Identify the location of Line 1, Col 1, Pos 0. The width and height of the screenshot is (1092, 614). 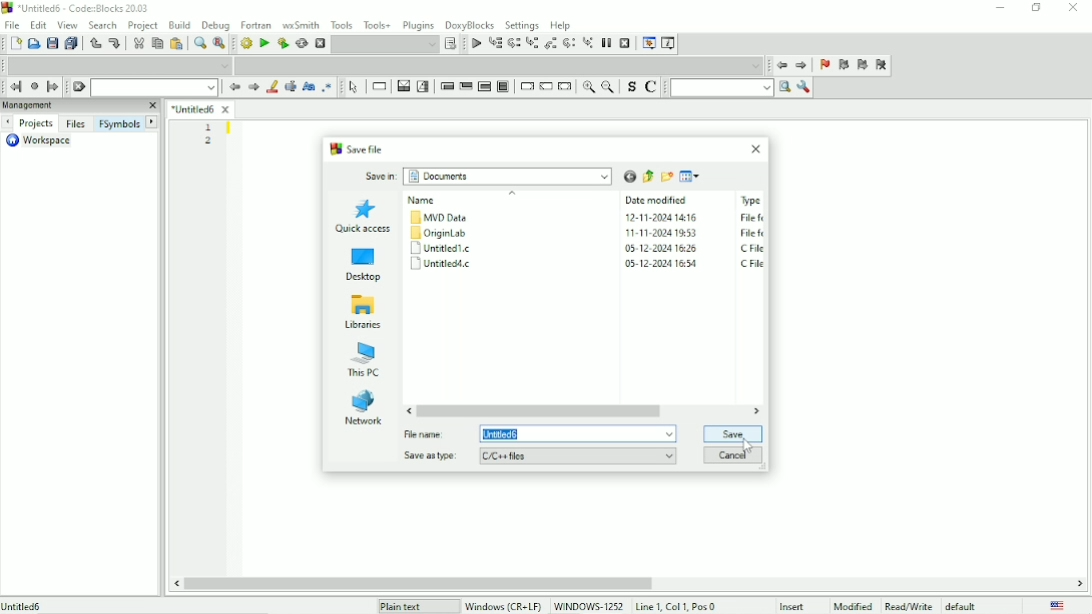
(675, 606).